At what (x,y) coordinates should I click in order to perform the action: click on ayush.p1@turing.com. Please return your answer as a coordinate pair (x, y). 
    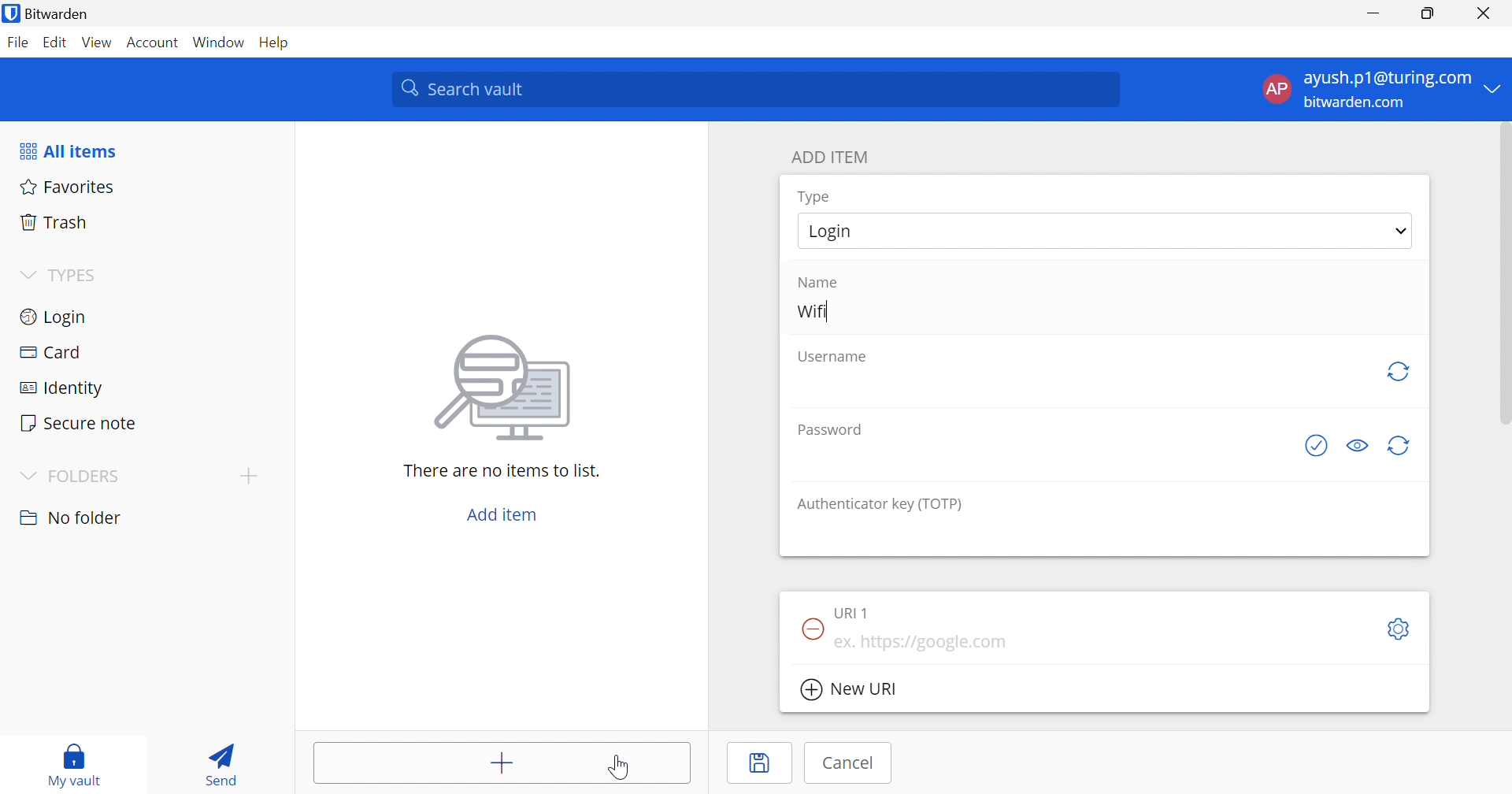
    Looking at the image, I should click on (1388, 79).